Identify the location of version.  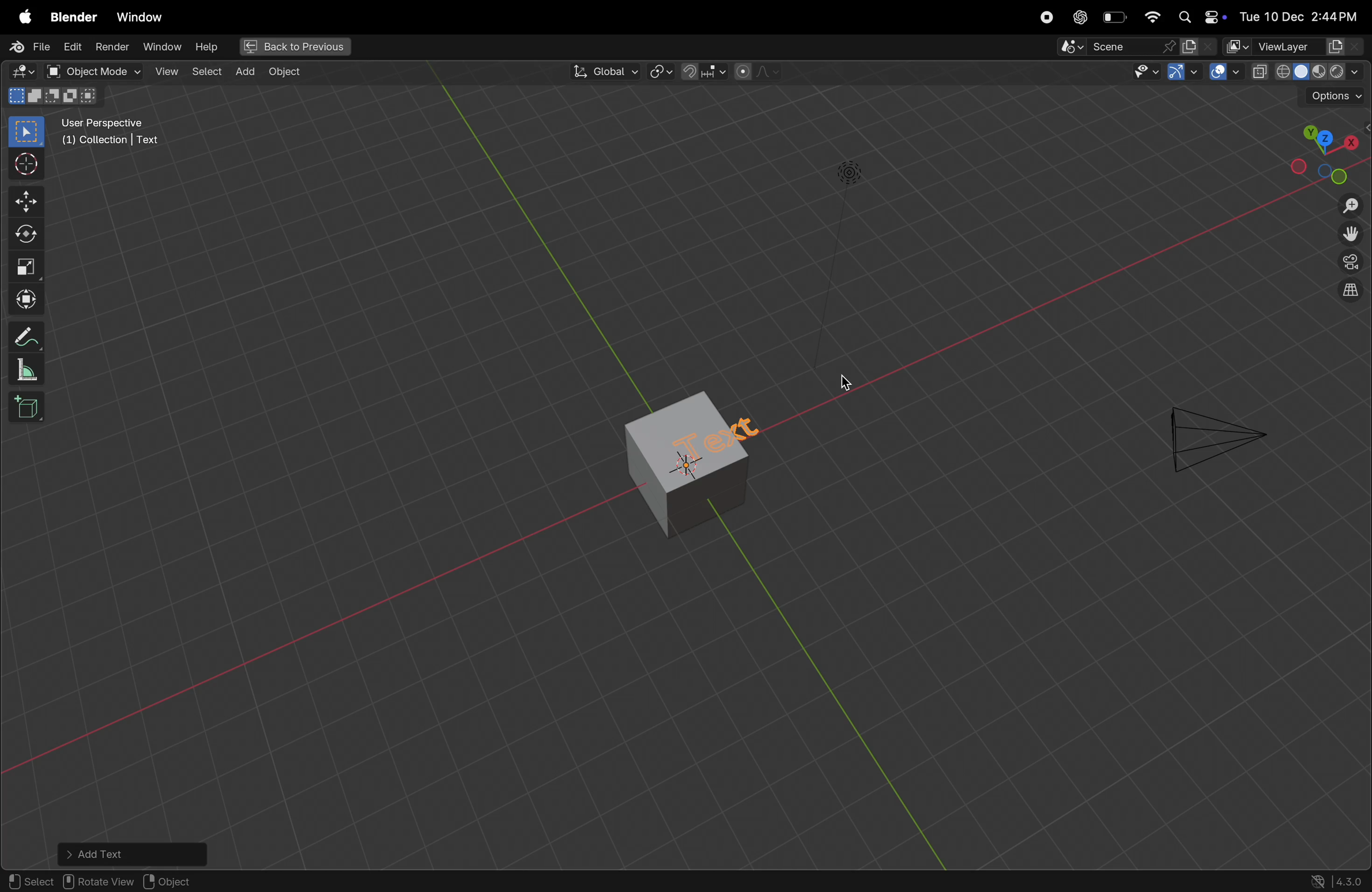
(1337, 880).